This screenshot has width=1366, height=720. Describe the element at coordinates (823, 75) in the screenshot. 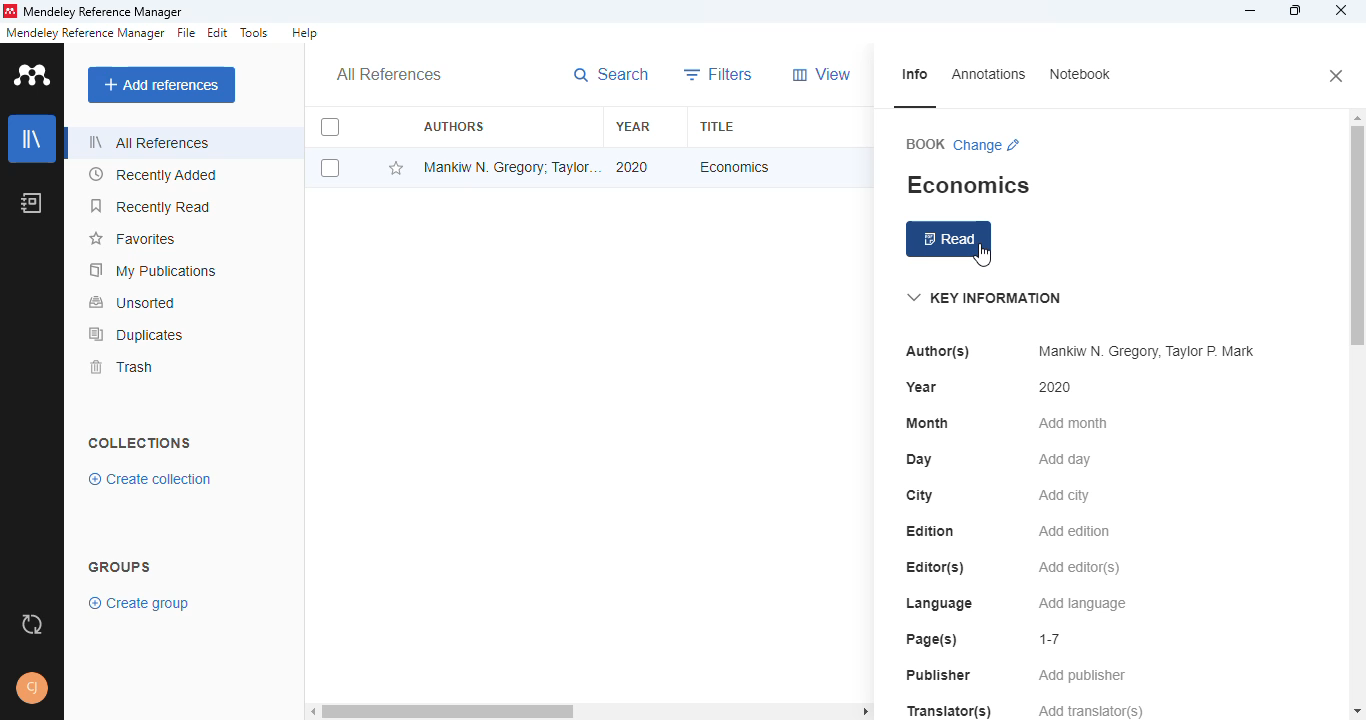

I see `view` at that location.